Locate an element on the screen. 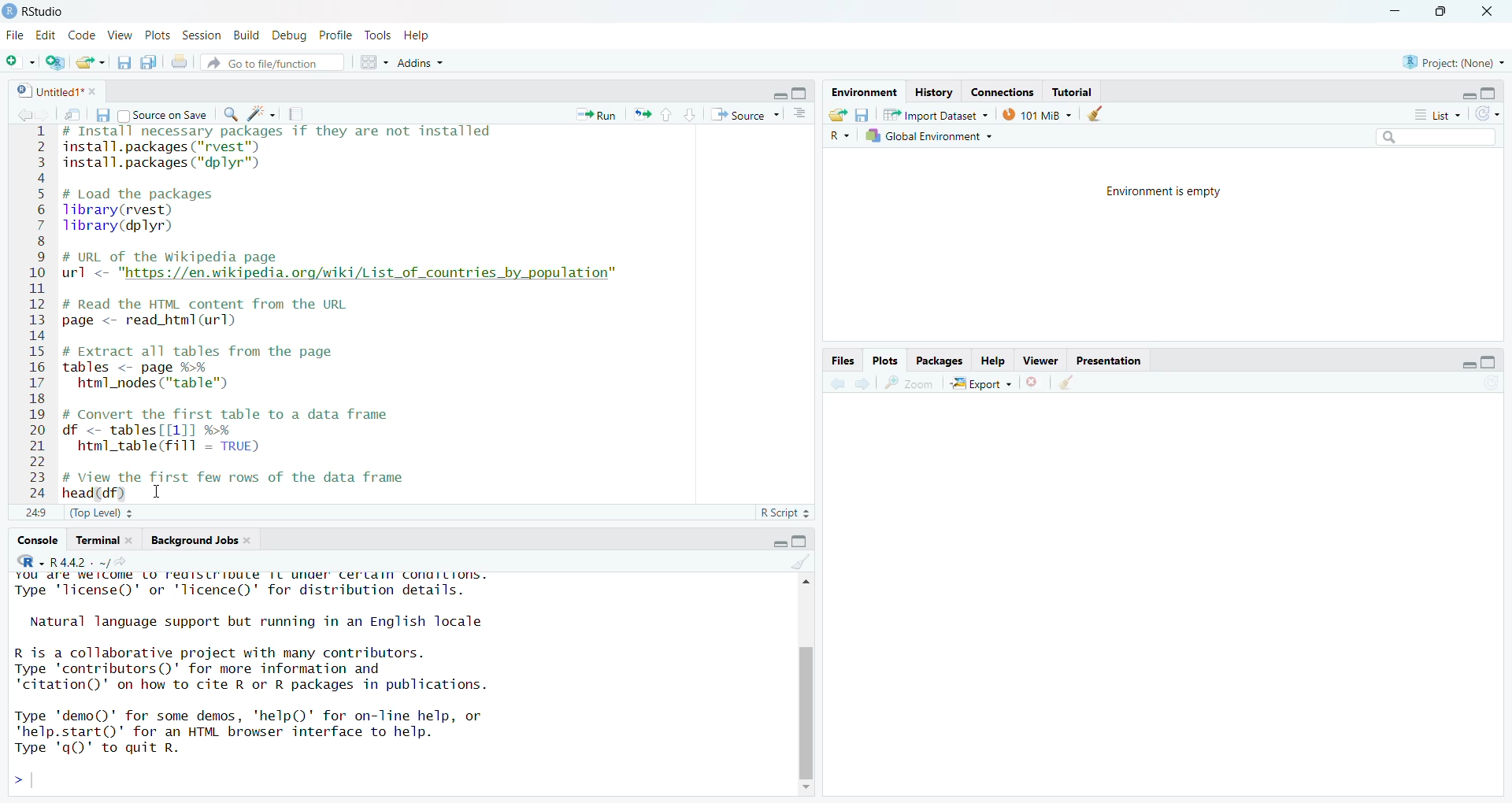 This screenshot has height=803, width=1512. new file is located at coordinates (20, 61).